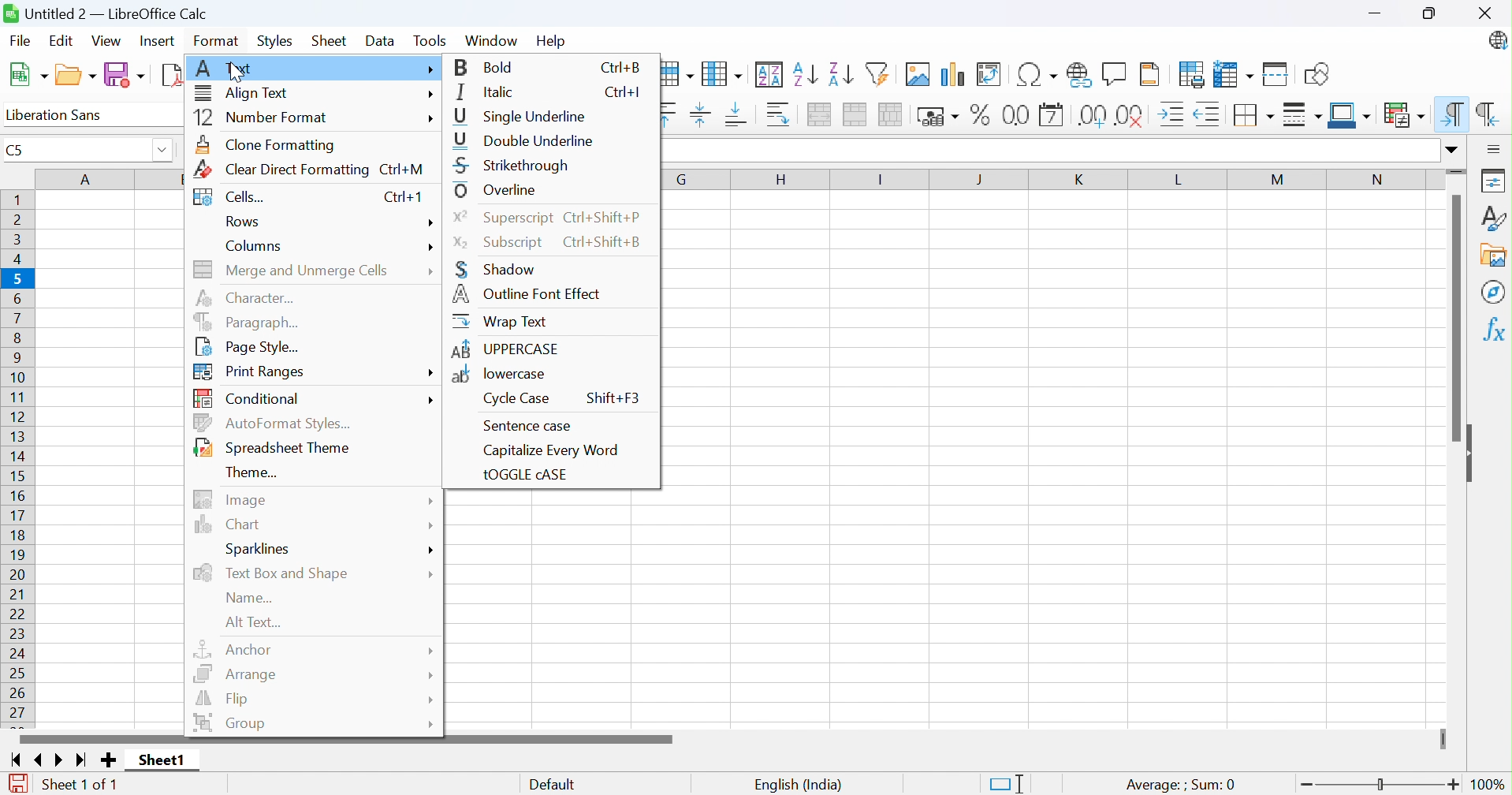 This screenshot has width=1512, height=795. Describe the element at coordinates (400, 173) in the screenshot. I see `Ctrl+M` at that location.